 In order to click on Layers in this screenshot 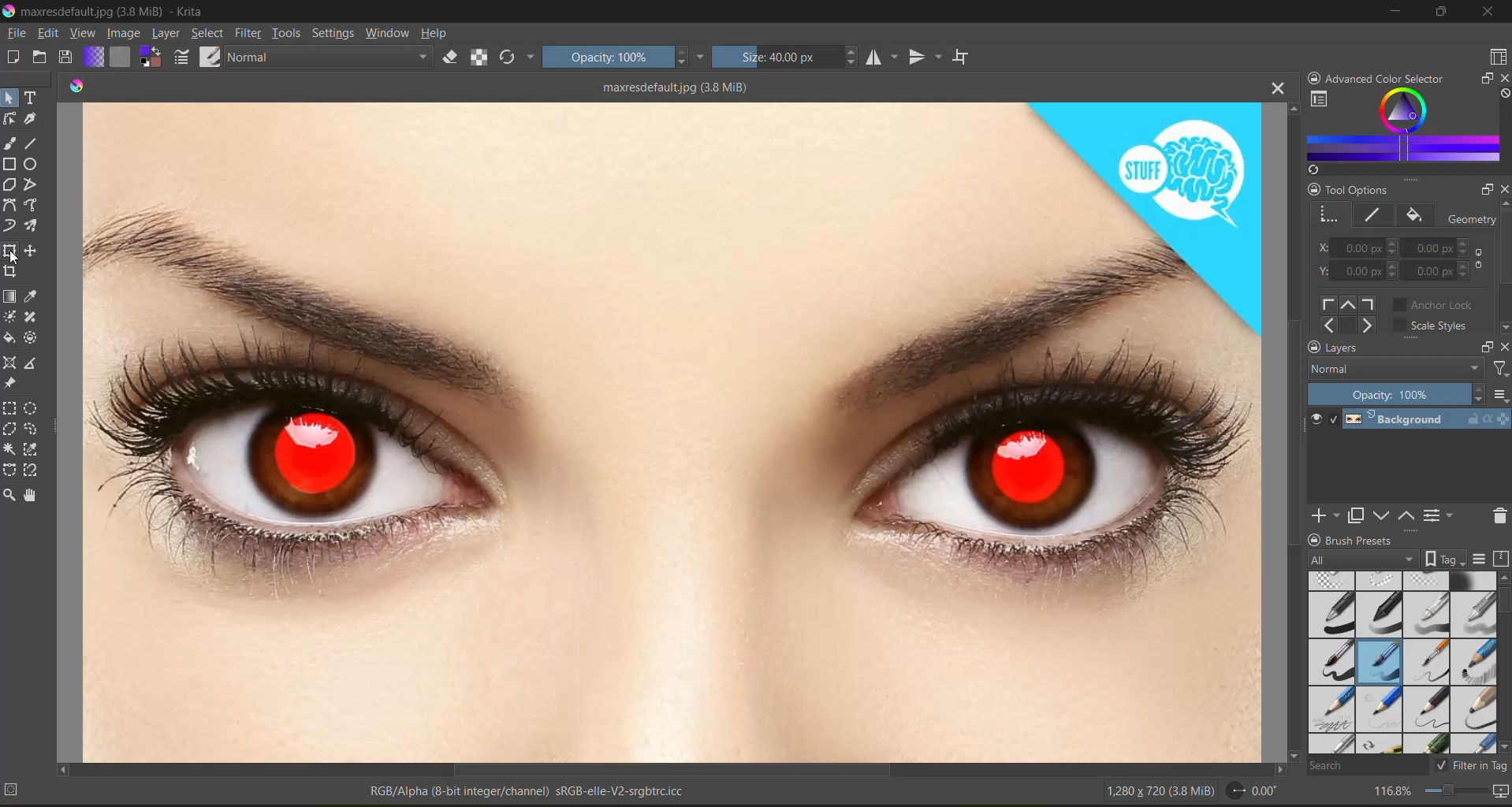, I will do `click(1362, 345)`.